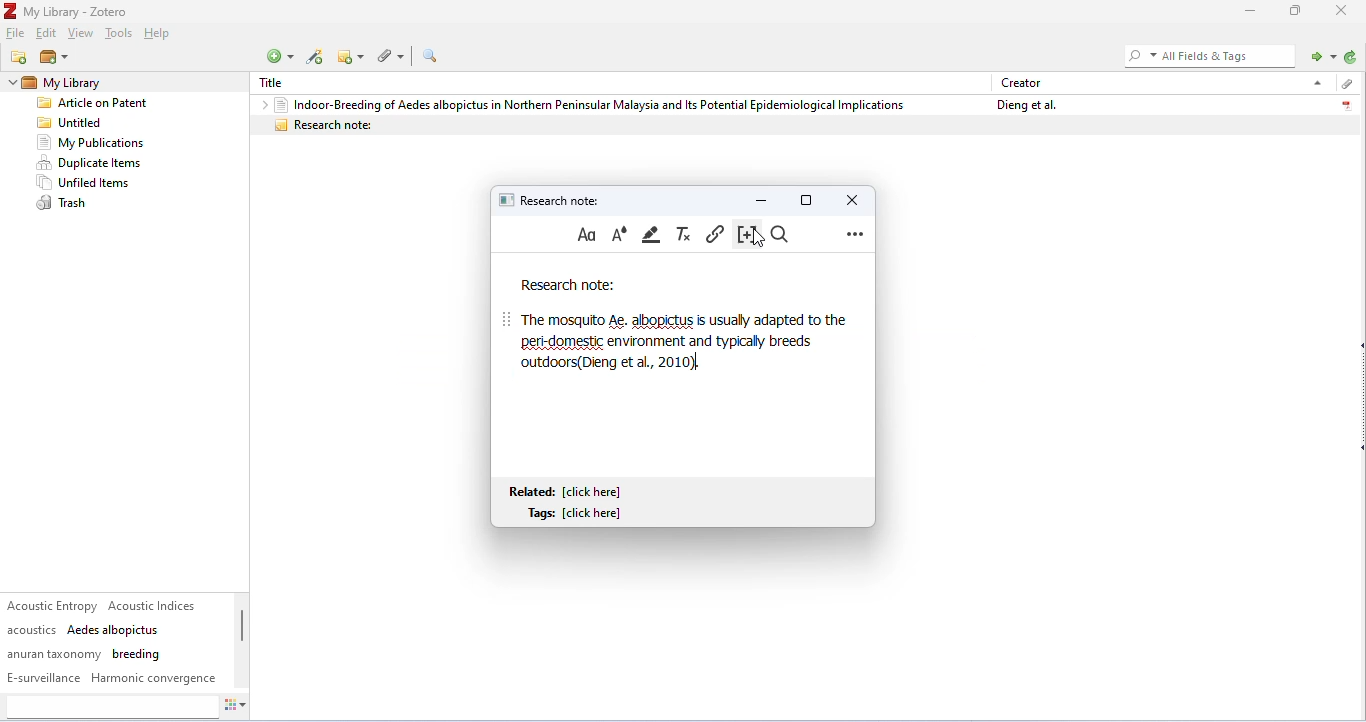  What do you see at coordinates (619, 234) in the screenshot?
I see `text color` at bounding box center [619, 234].